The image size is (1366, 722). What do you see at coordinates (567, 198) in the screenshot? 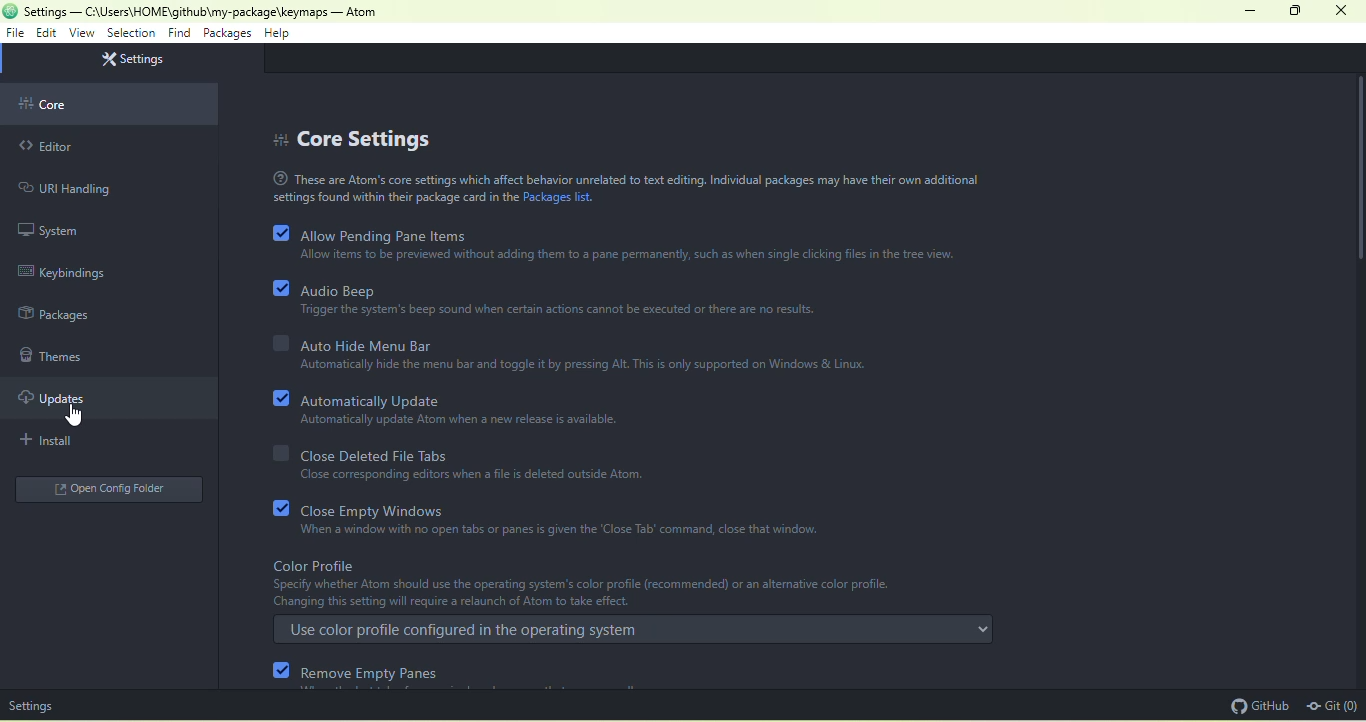
I see `Packages list` at bounding box center [567, 198].